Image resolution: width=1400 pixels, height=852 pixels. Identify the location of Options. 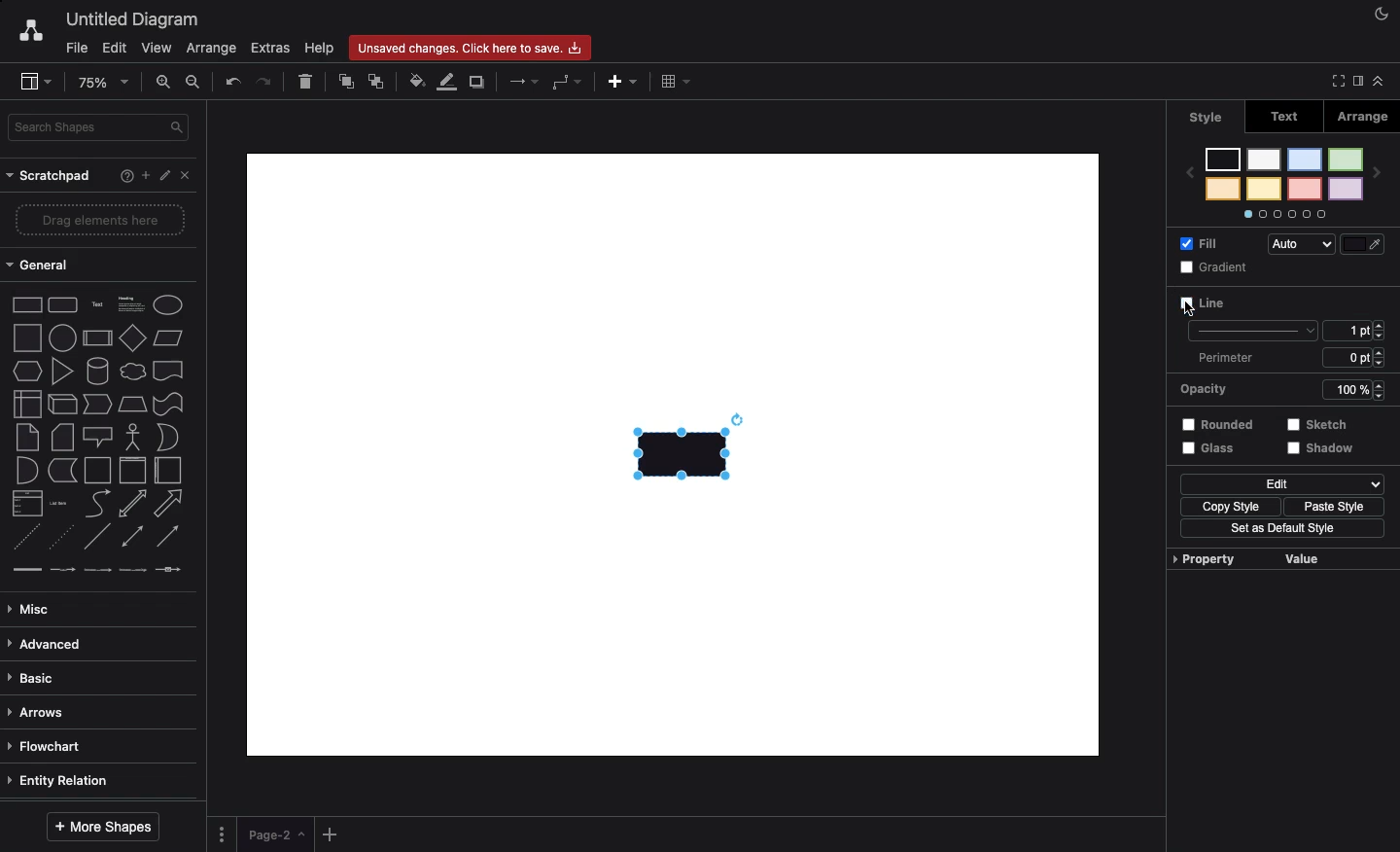
(1284, 214).